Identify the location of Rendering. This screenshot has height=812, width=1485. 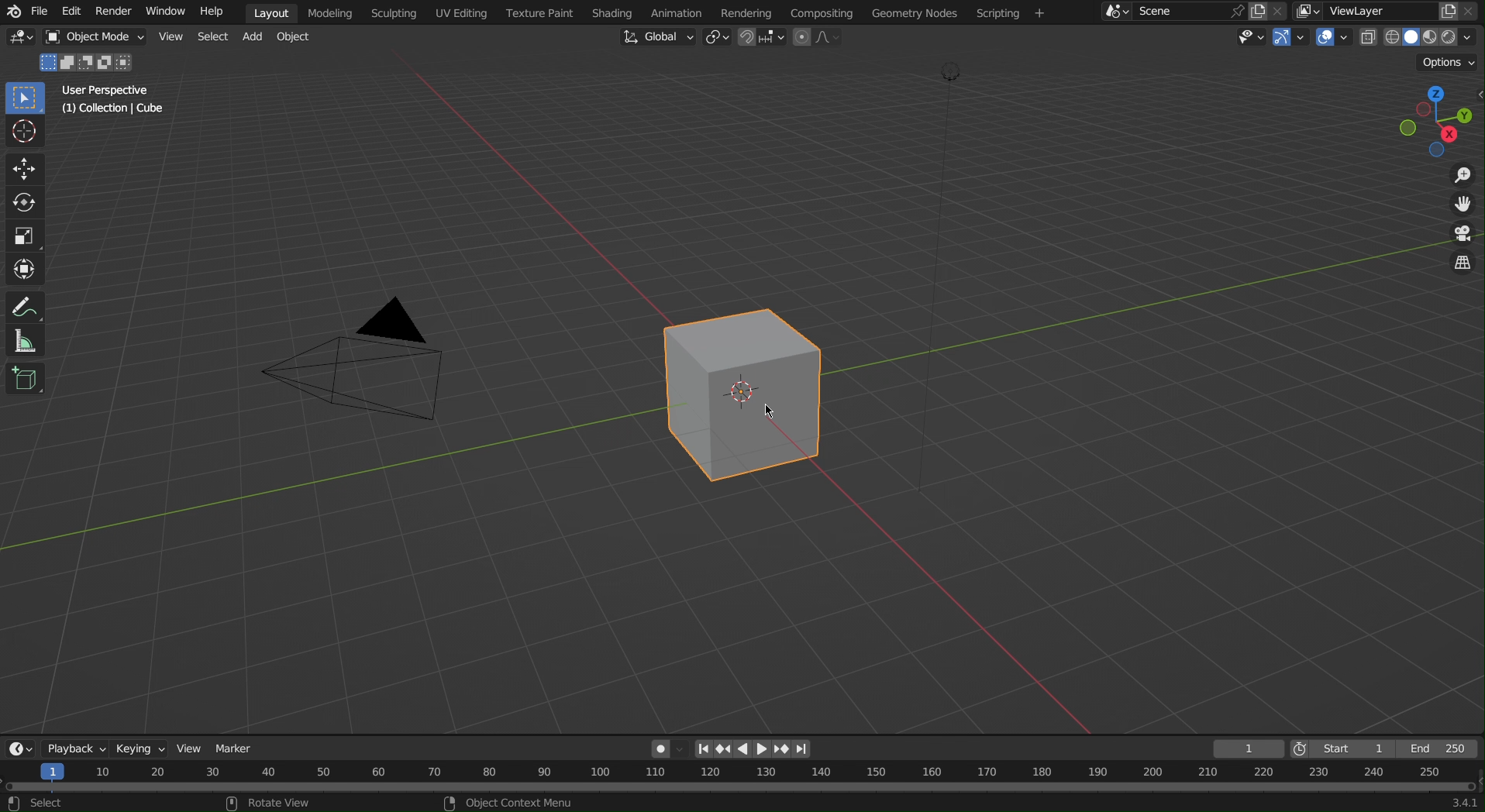
(746, 13).